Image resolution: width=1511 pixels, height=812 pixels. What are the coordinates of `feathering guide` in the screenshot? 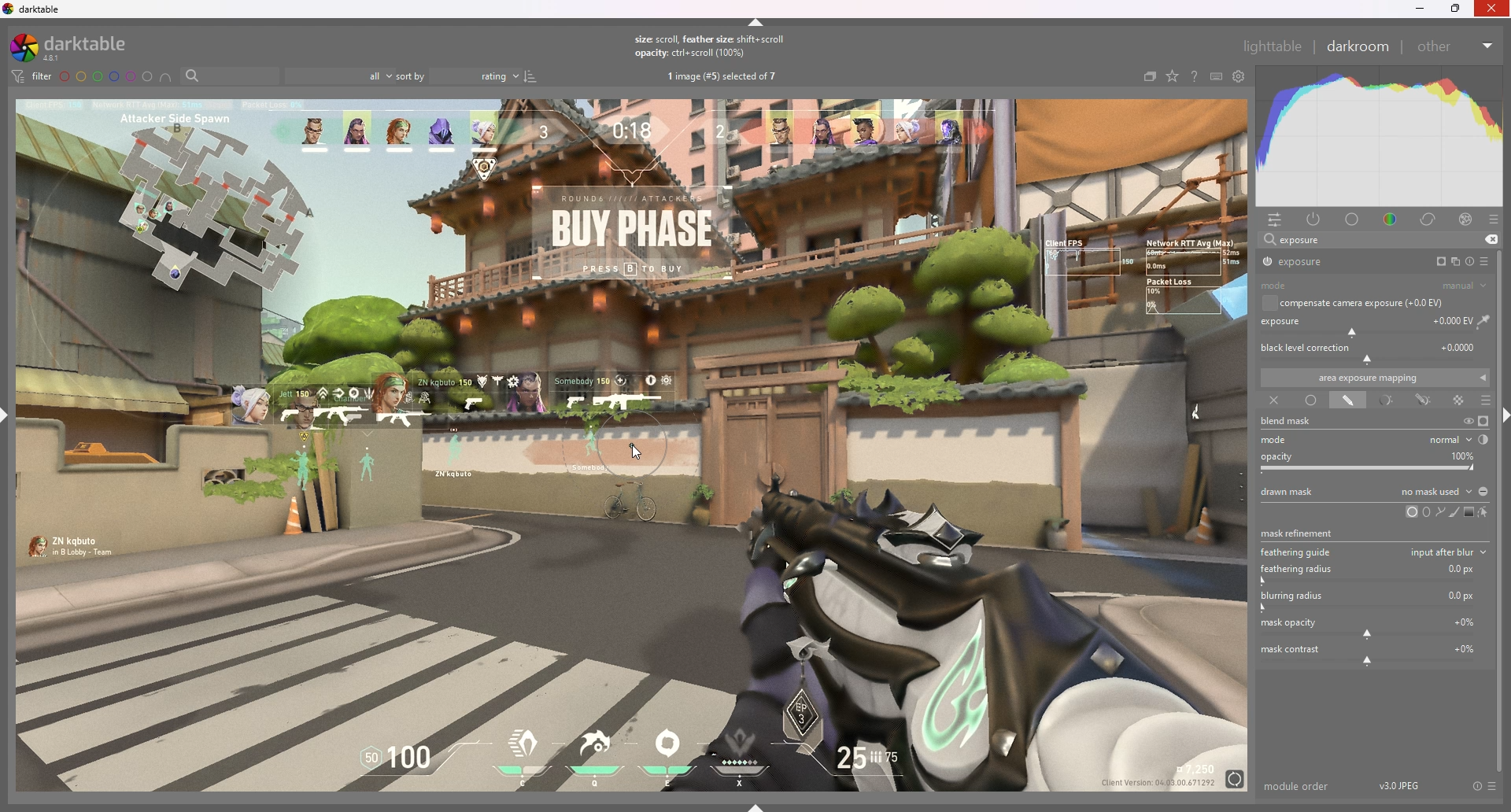 It's located at (1299, 552).